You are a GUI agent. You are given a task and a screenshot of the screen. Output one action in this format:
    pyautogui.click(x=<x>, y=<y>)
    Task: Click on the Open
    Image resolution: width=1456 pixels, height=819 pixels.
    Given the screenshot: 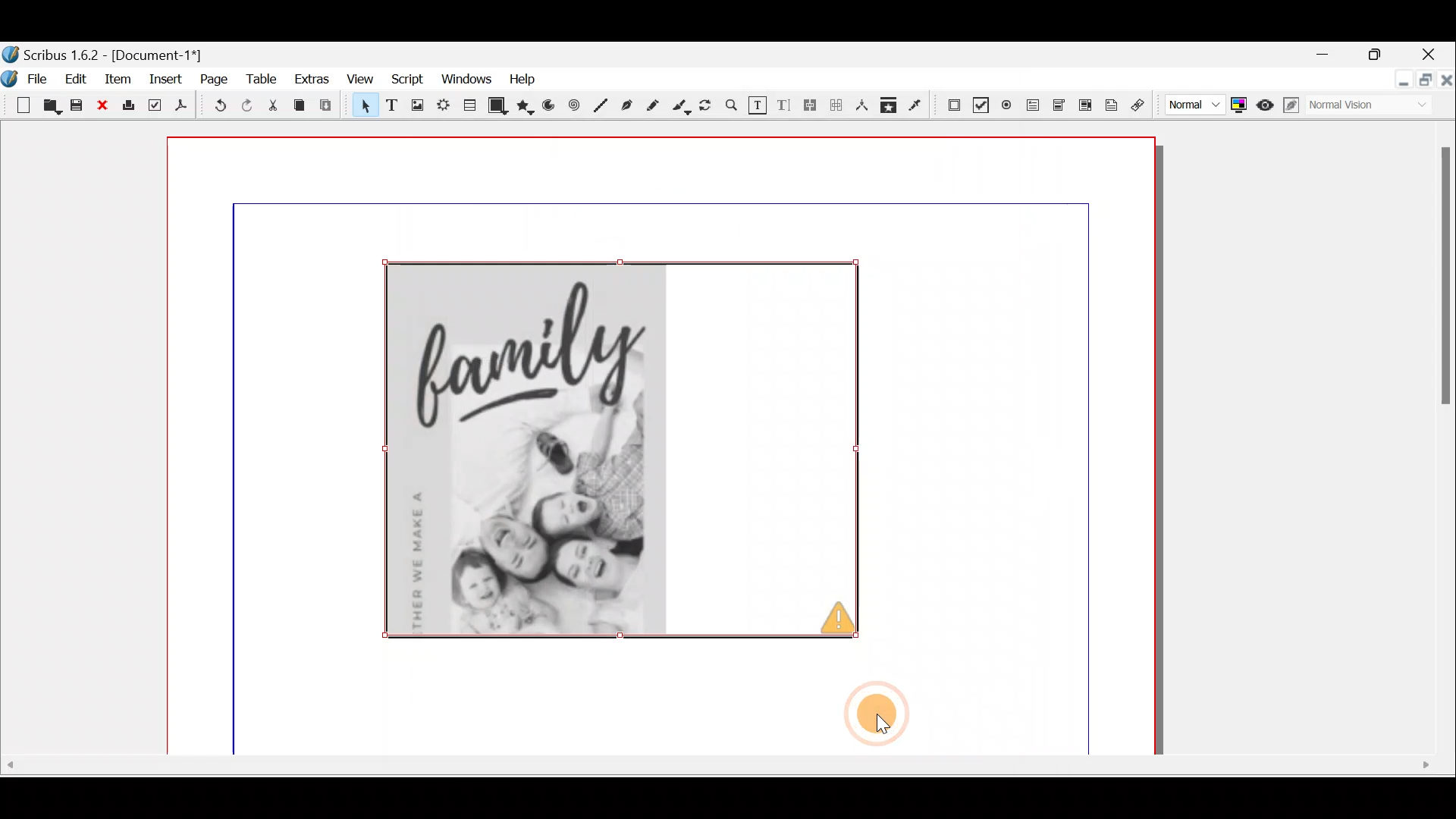 What is the action you would take?
    pyautogui.click(x=48, y=106)
    